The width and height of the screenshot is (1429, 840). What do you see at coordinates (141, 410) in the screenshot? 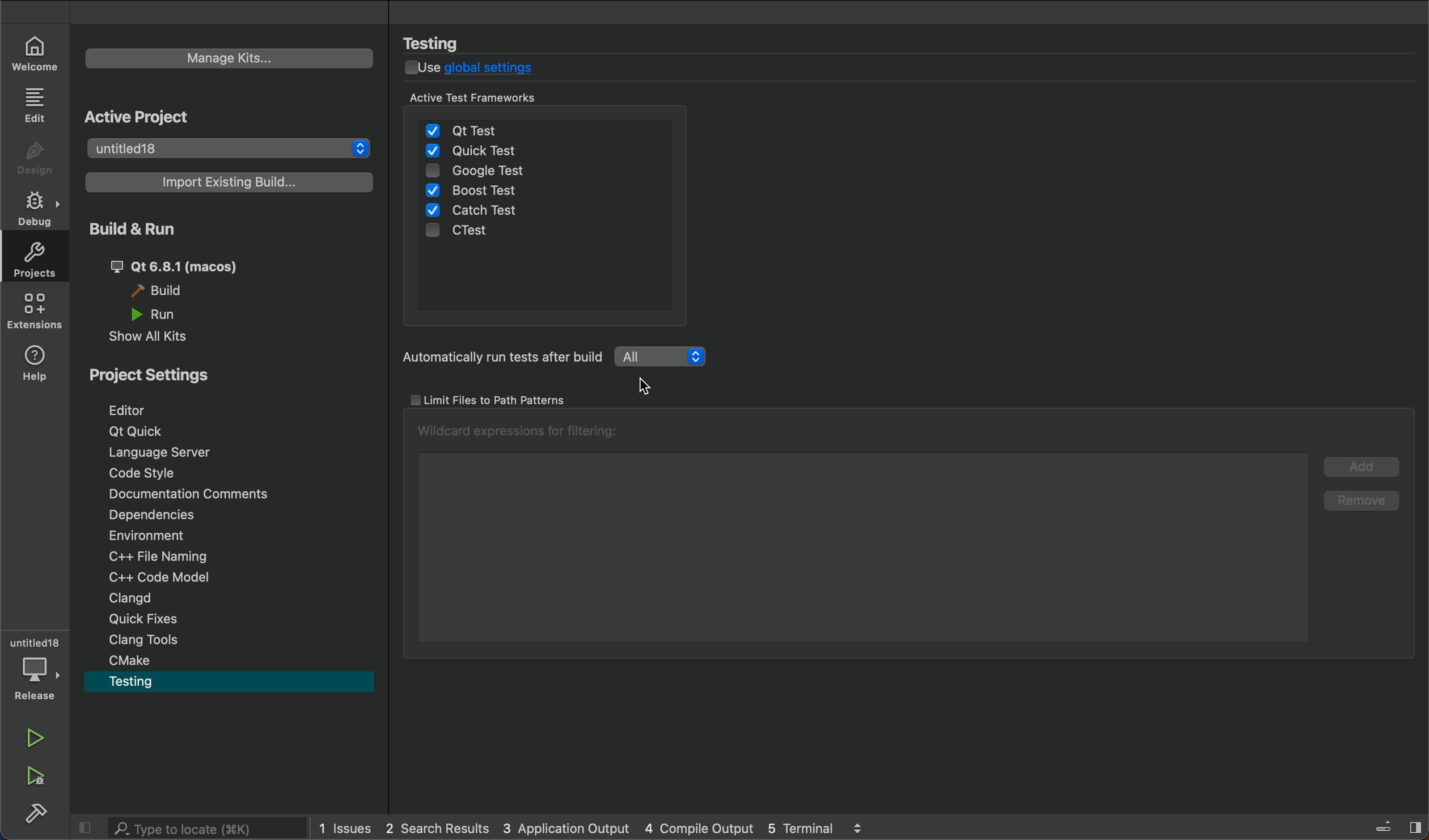
I see `editor` at bounding box center [141, 410].